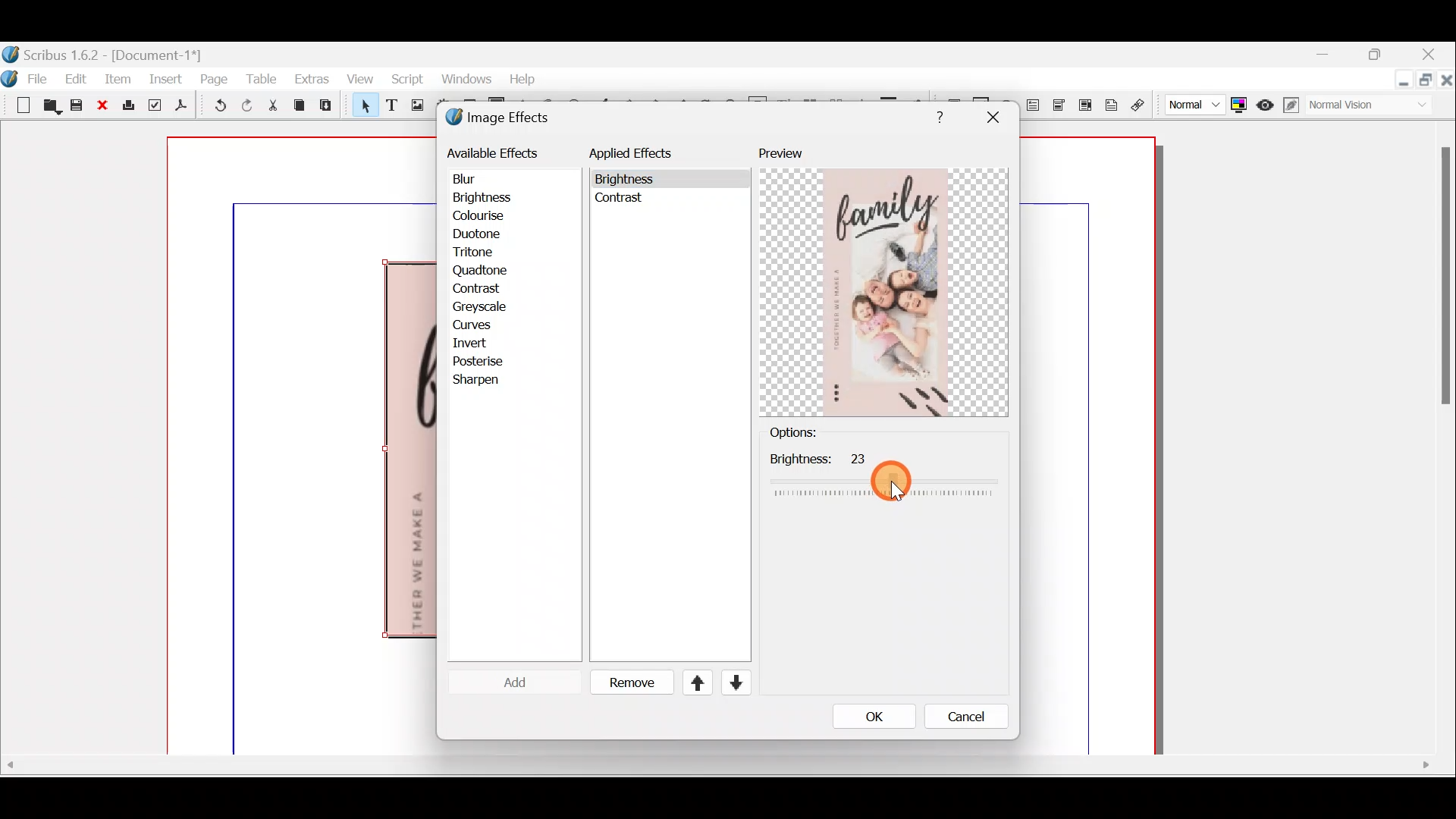  I want to click on New, so click(18, 104).